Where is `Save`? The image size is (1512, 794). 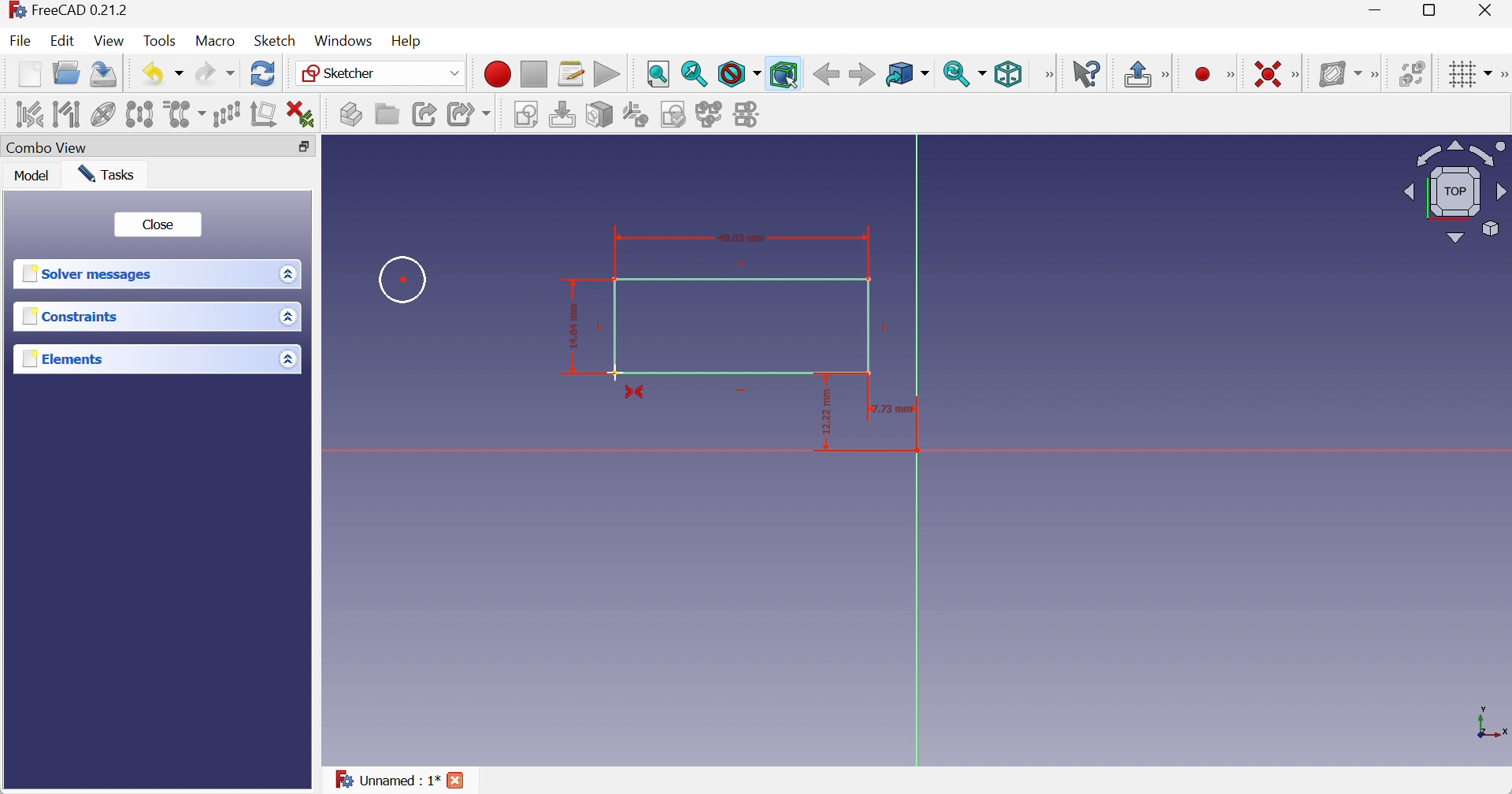 Save is located at coordinates (102, 75).